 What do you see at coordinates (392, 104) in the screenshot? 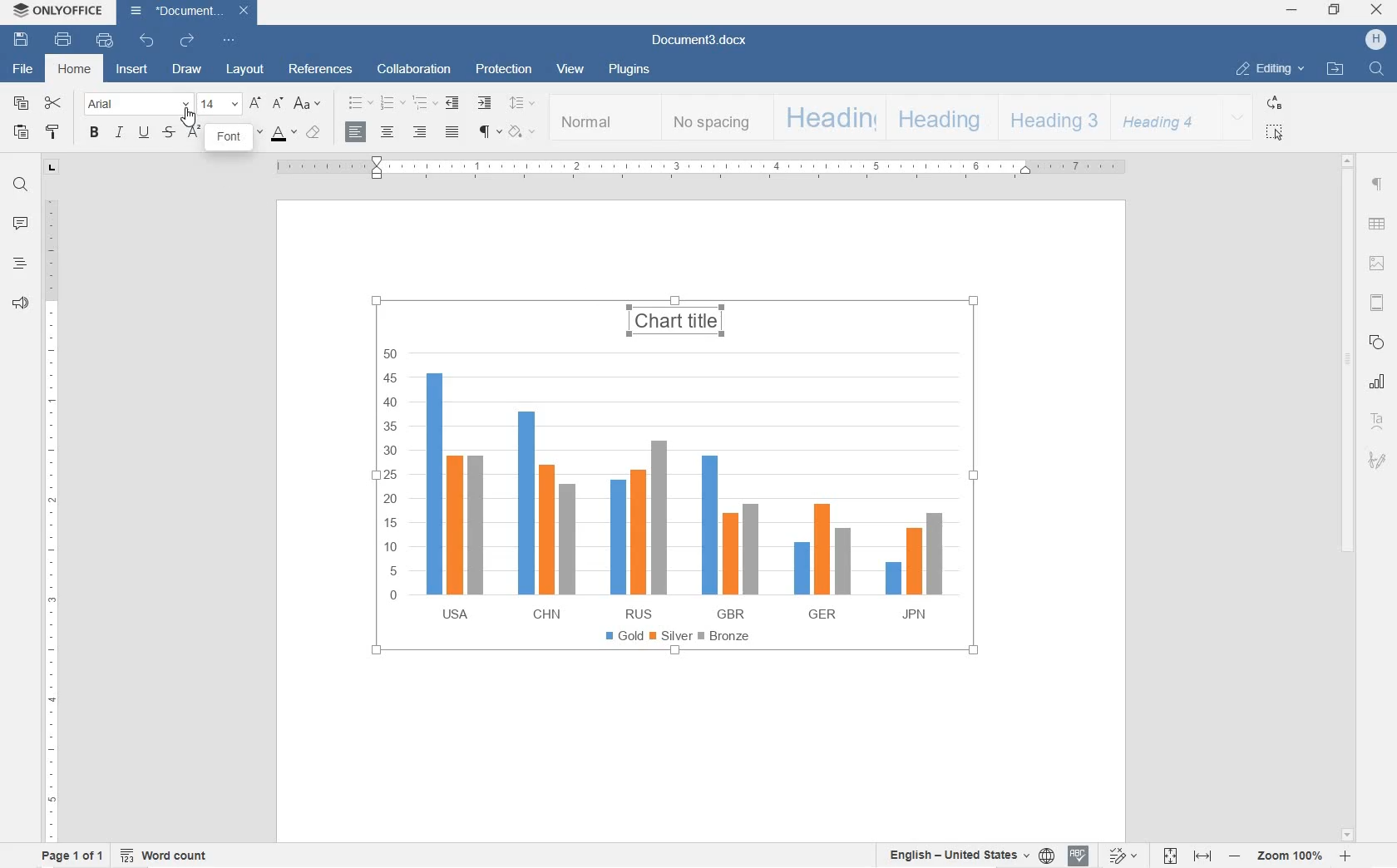
I see `NUMBERING` at bounding box center [392, 104].